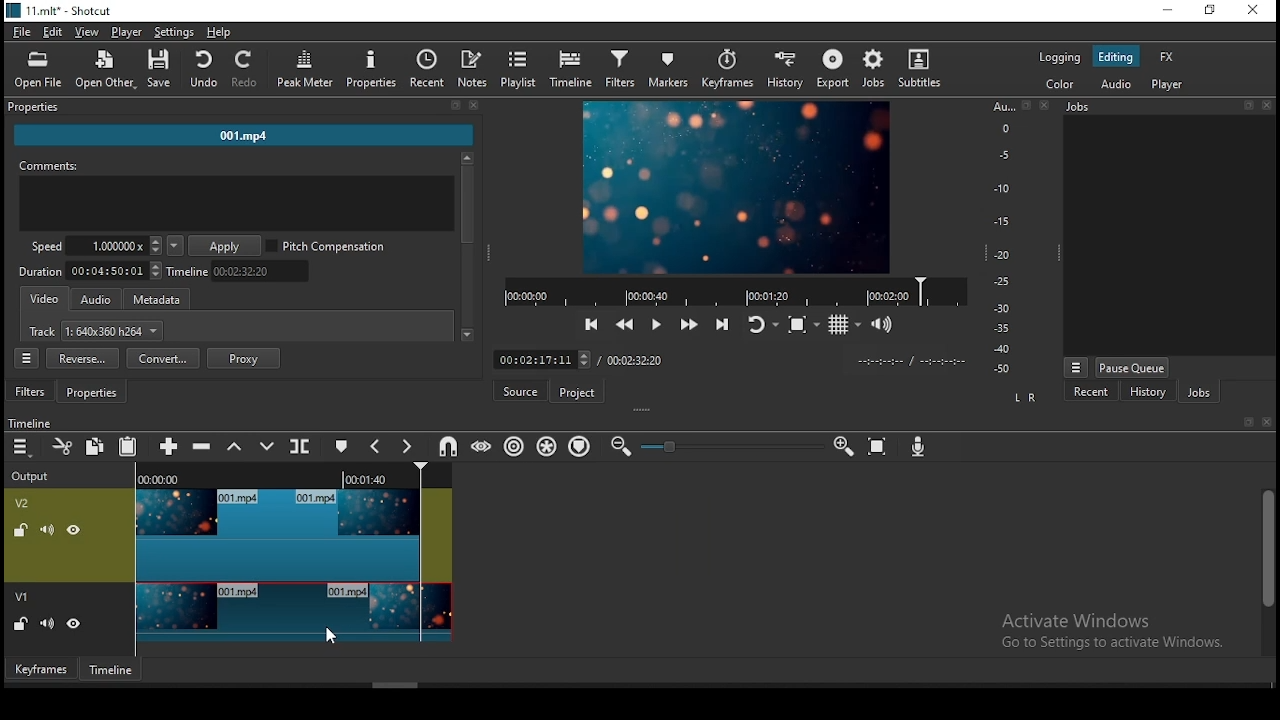  What do you see at coordinates (447, 447) in the screenshot?
I see `snap` at bounding box center [447, 447].